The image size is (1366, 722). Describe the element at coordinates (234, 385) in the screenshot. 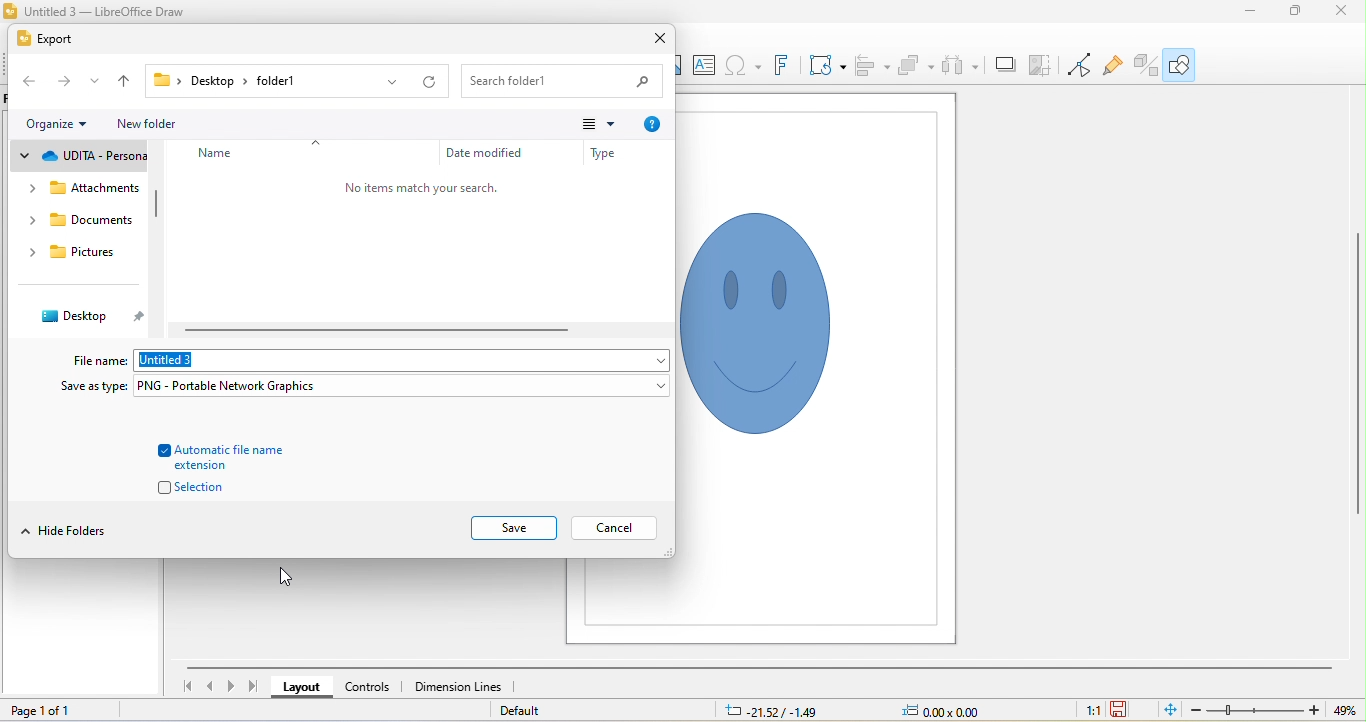

I see `PNG-portable Network Graphics` at that location.